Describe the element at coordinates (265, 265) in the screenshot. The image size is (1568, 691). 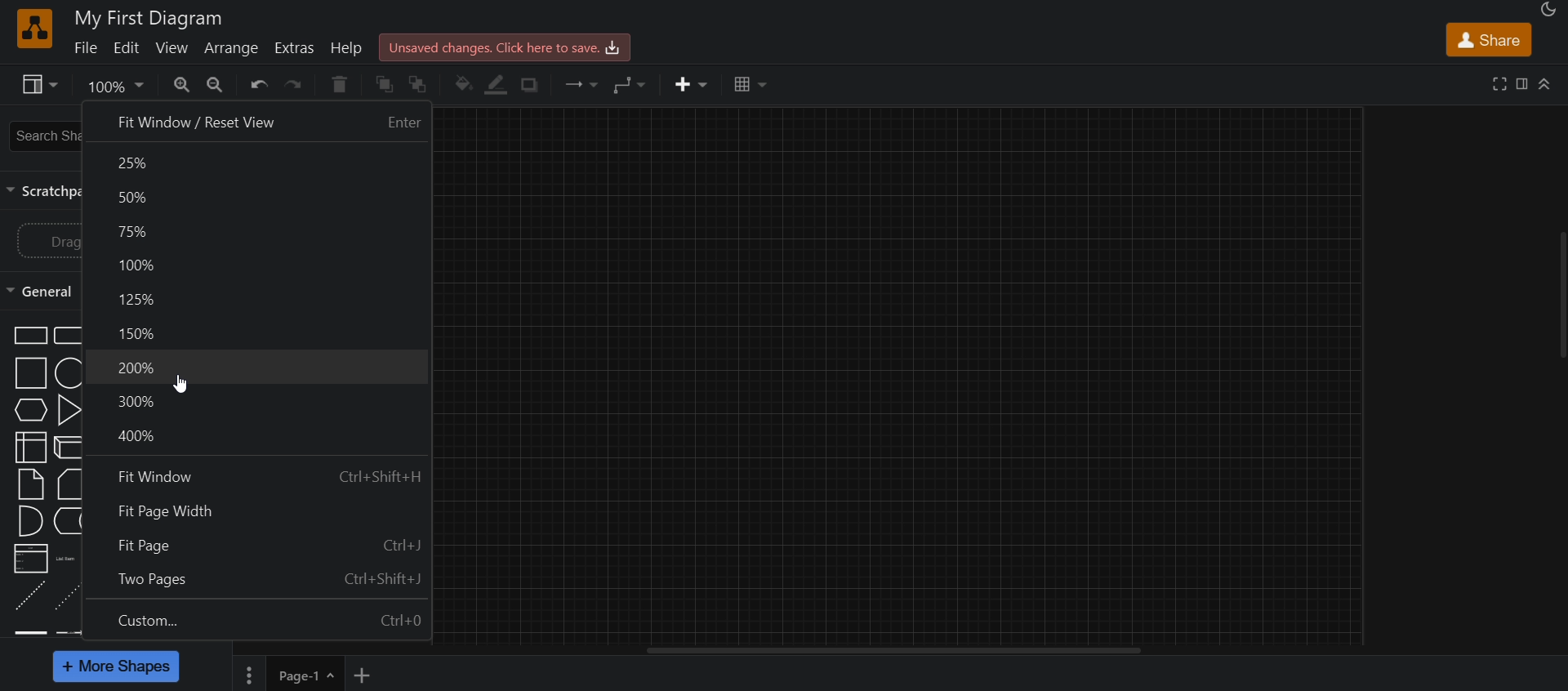
I see `100%` at that location.